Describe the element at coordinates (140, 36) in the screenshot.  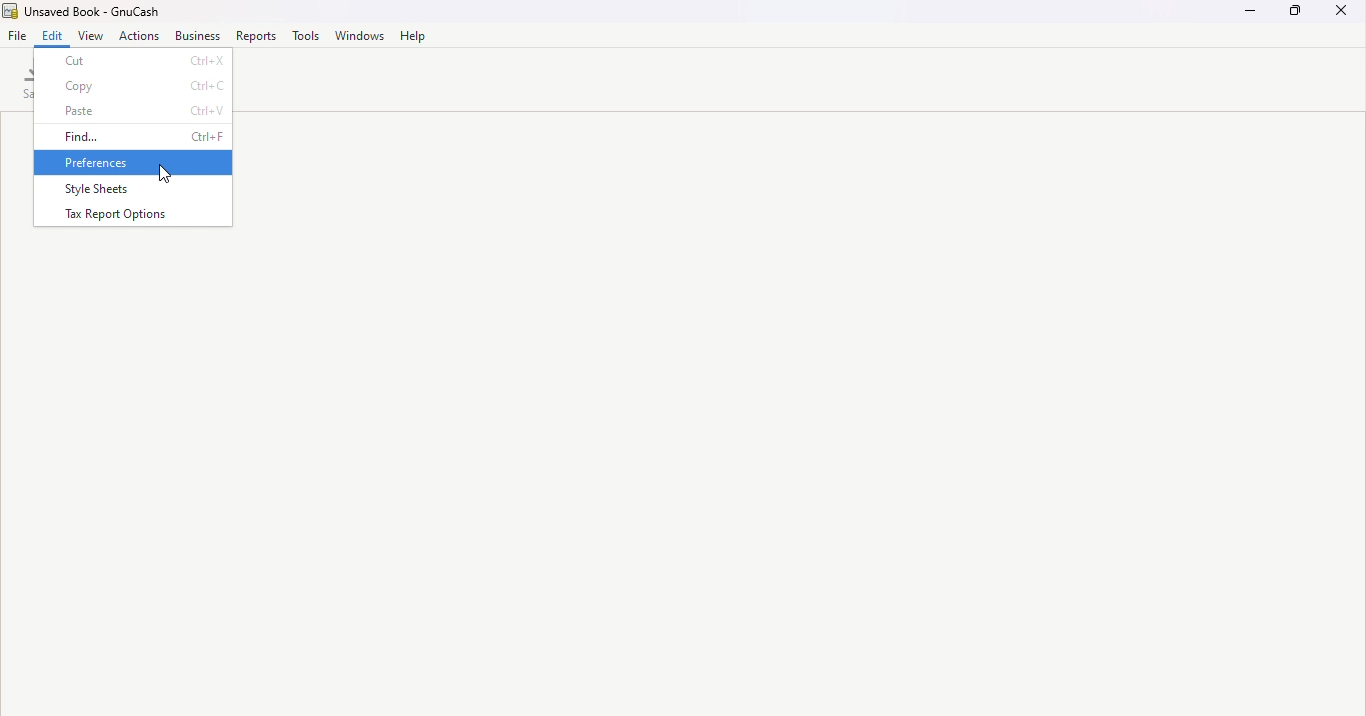
I see `Actions` at that location.